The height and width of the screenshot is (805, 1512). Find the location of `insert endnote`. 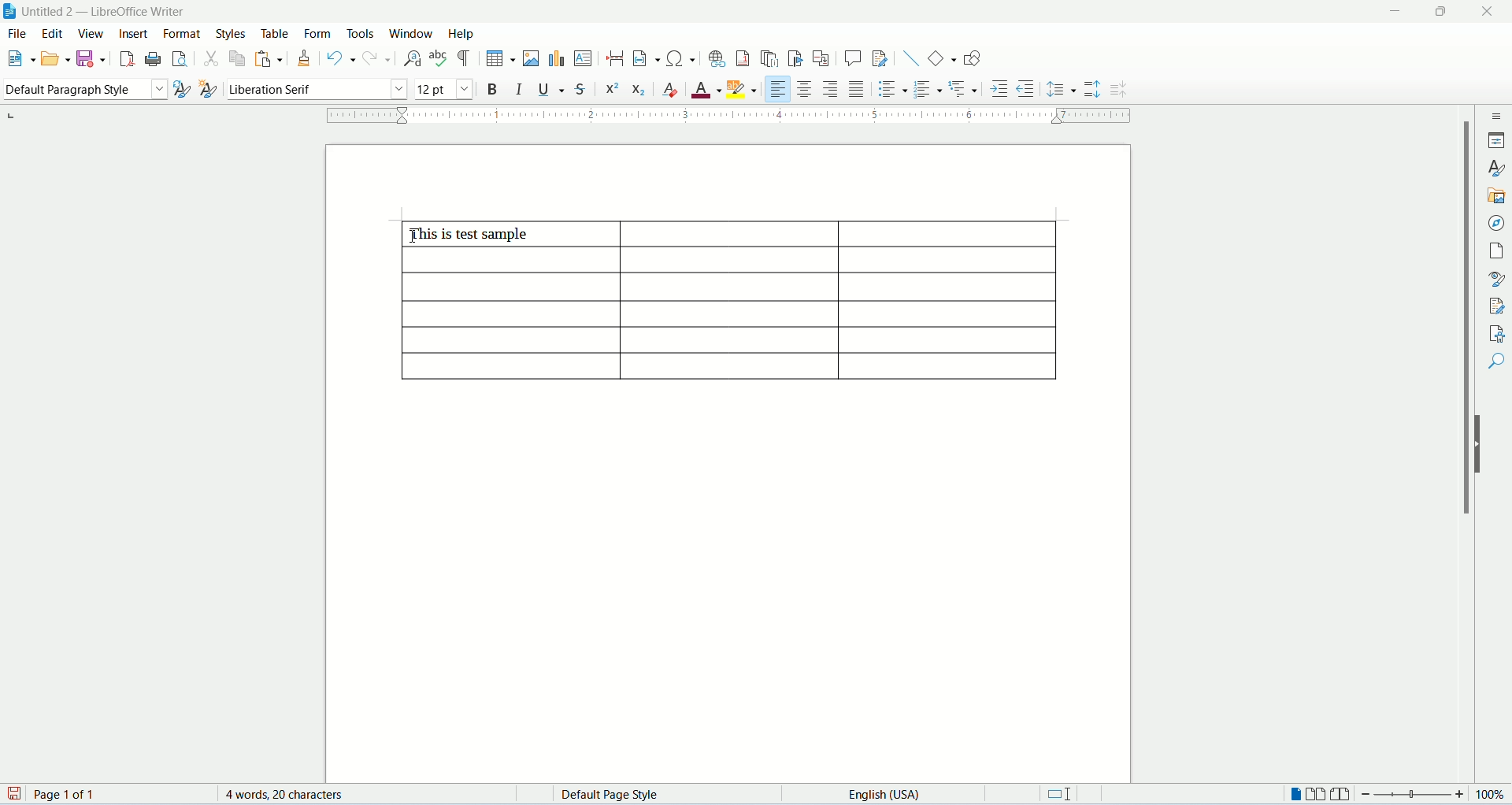

insert endnote is located at coordinates (770, 59).